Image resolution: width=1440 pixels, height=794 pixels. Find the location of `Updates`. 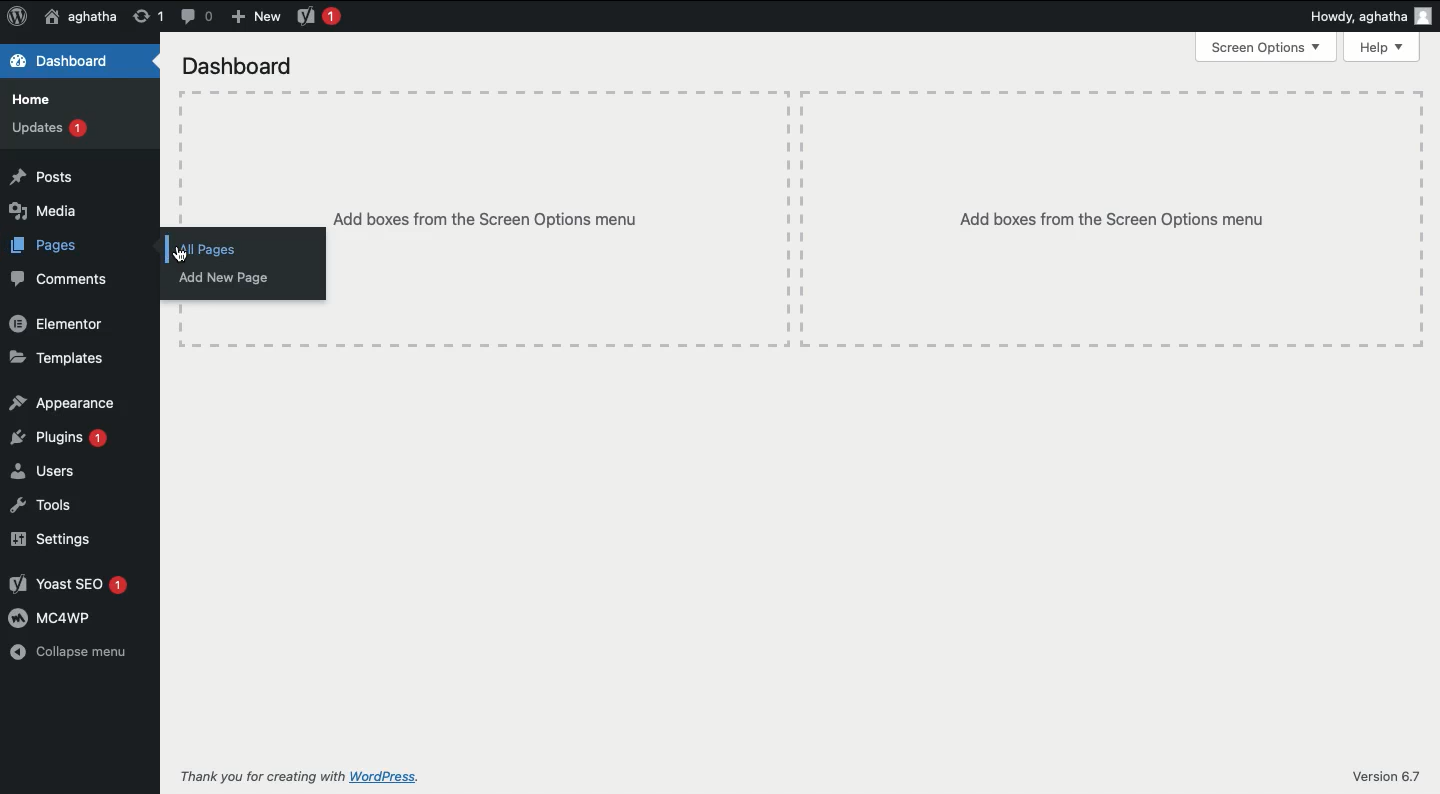

Updates is located at coordinates (49, 129).